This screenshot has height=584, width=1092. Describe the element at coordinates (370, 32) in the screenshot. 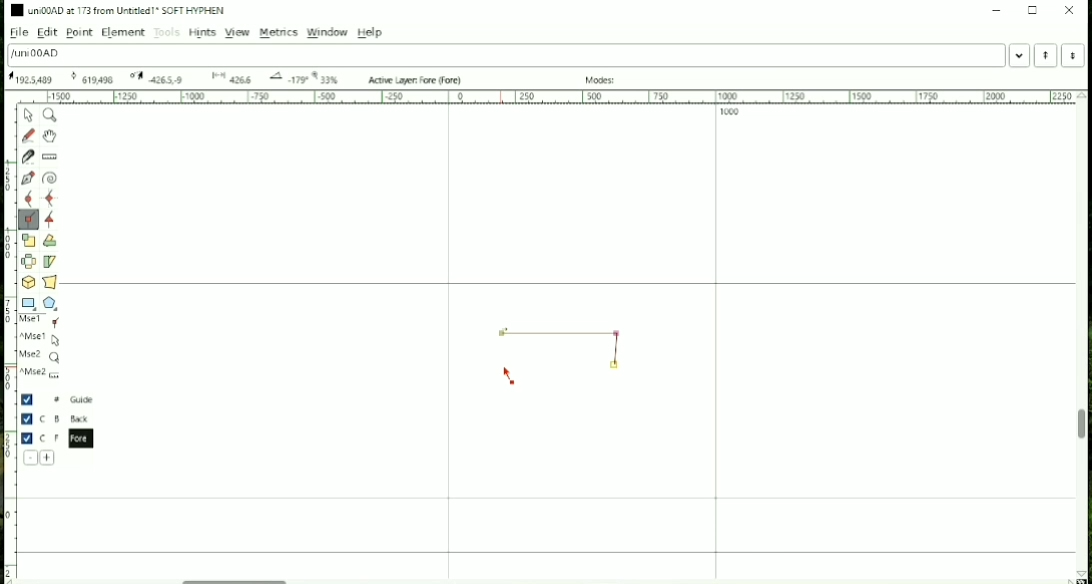

I see `Help` at that location.